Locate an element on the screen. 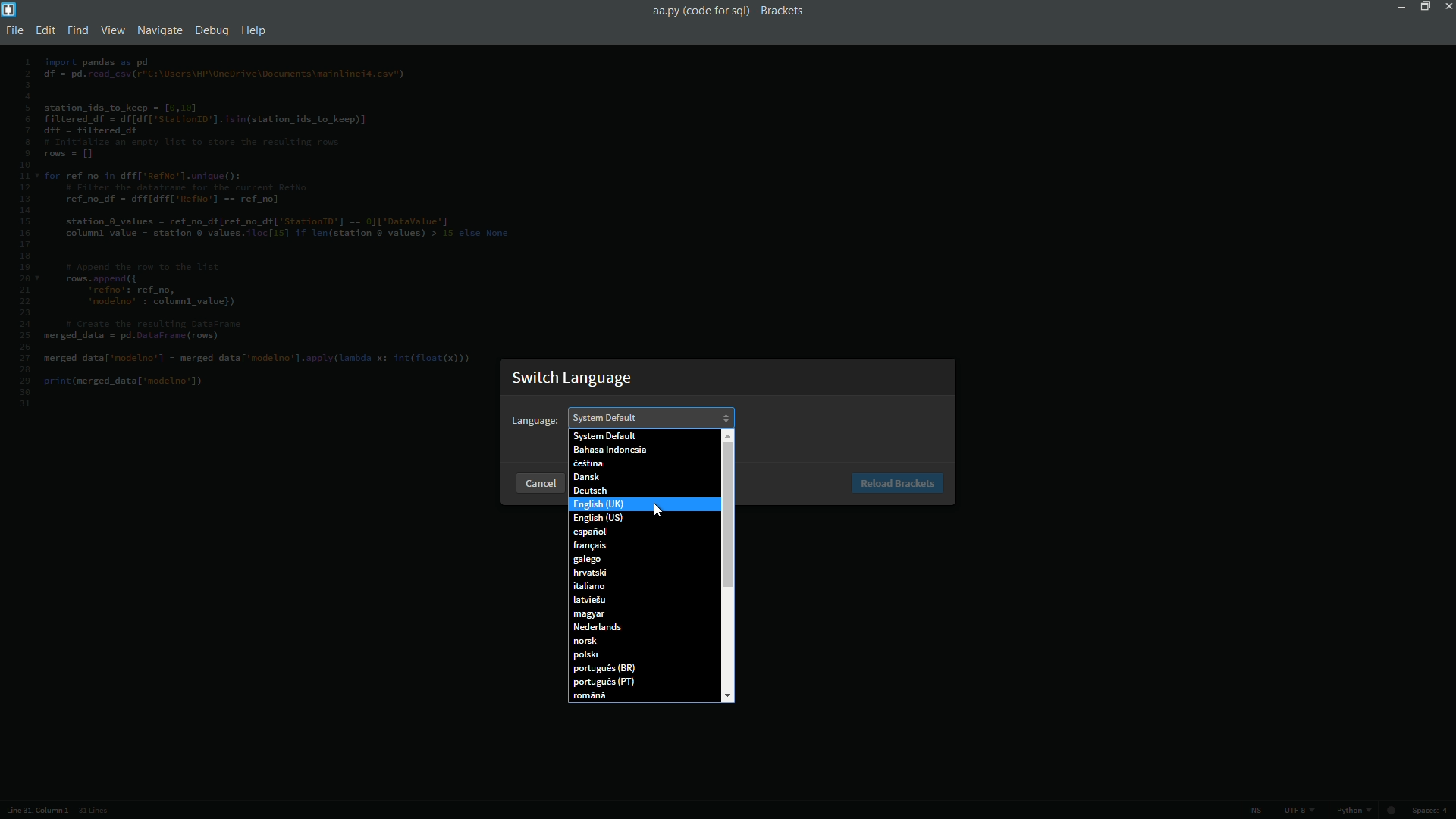 Image resolution: width=1456 pixels, height=819 pixels. language-17 is located at coordinates (604, 670).